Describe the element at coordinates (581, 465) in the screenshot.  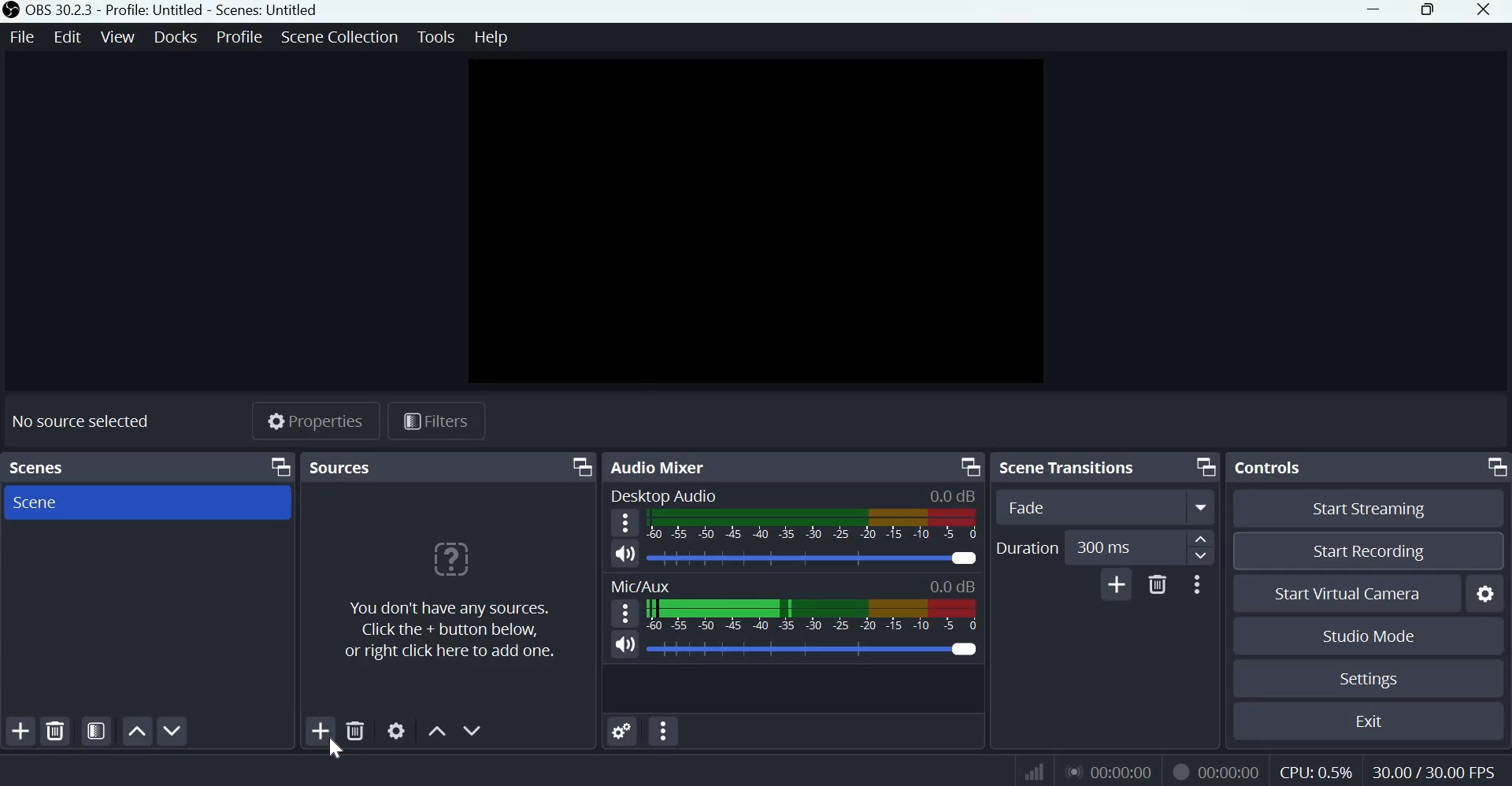
I see `Dock Options icon` at that location.